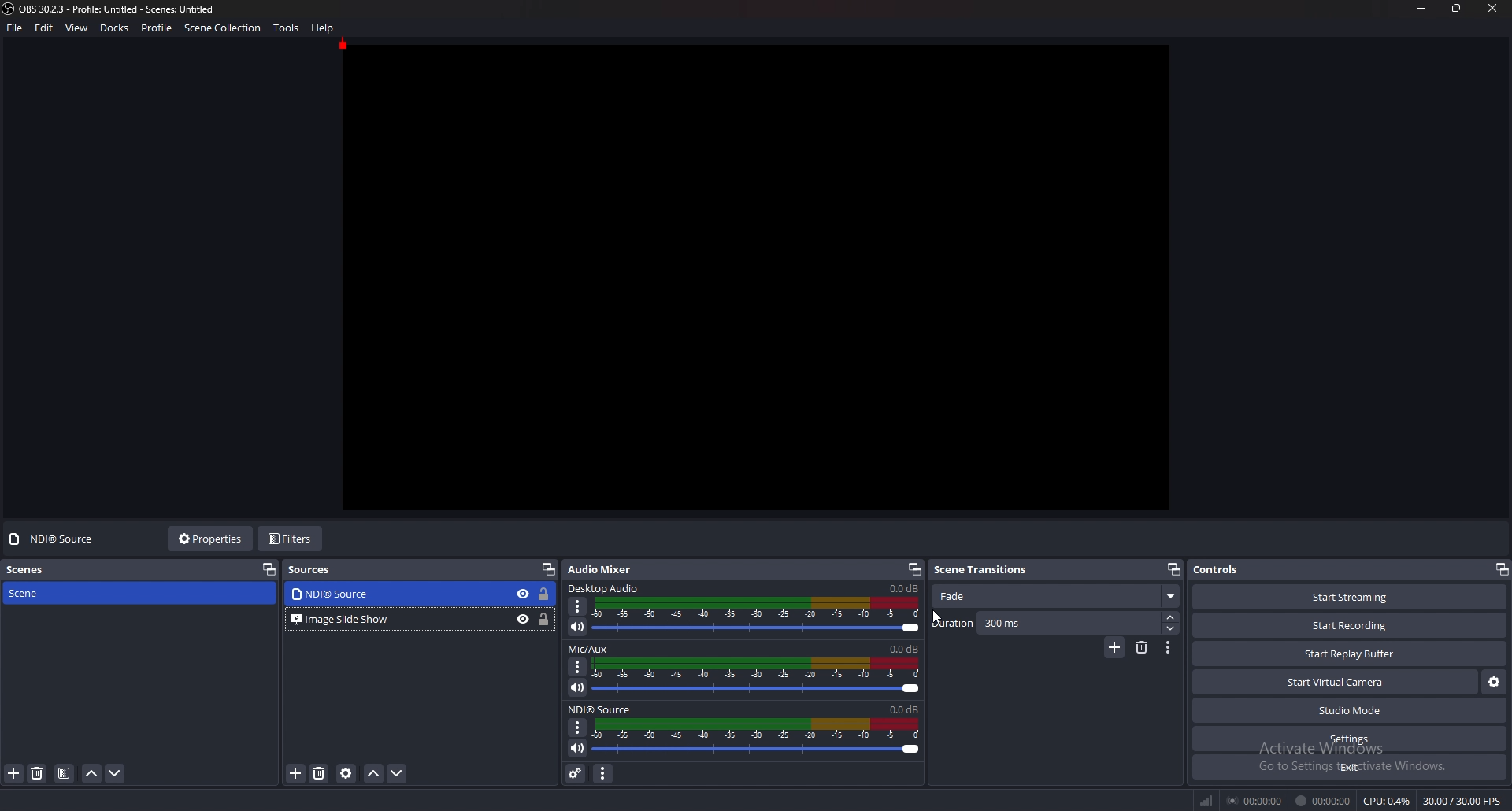 This screenshot has width=1512, height=811. I want to click on scenes, so click(40, 569).